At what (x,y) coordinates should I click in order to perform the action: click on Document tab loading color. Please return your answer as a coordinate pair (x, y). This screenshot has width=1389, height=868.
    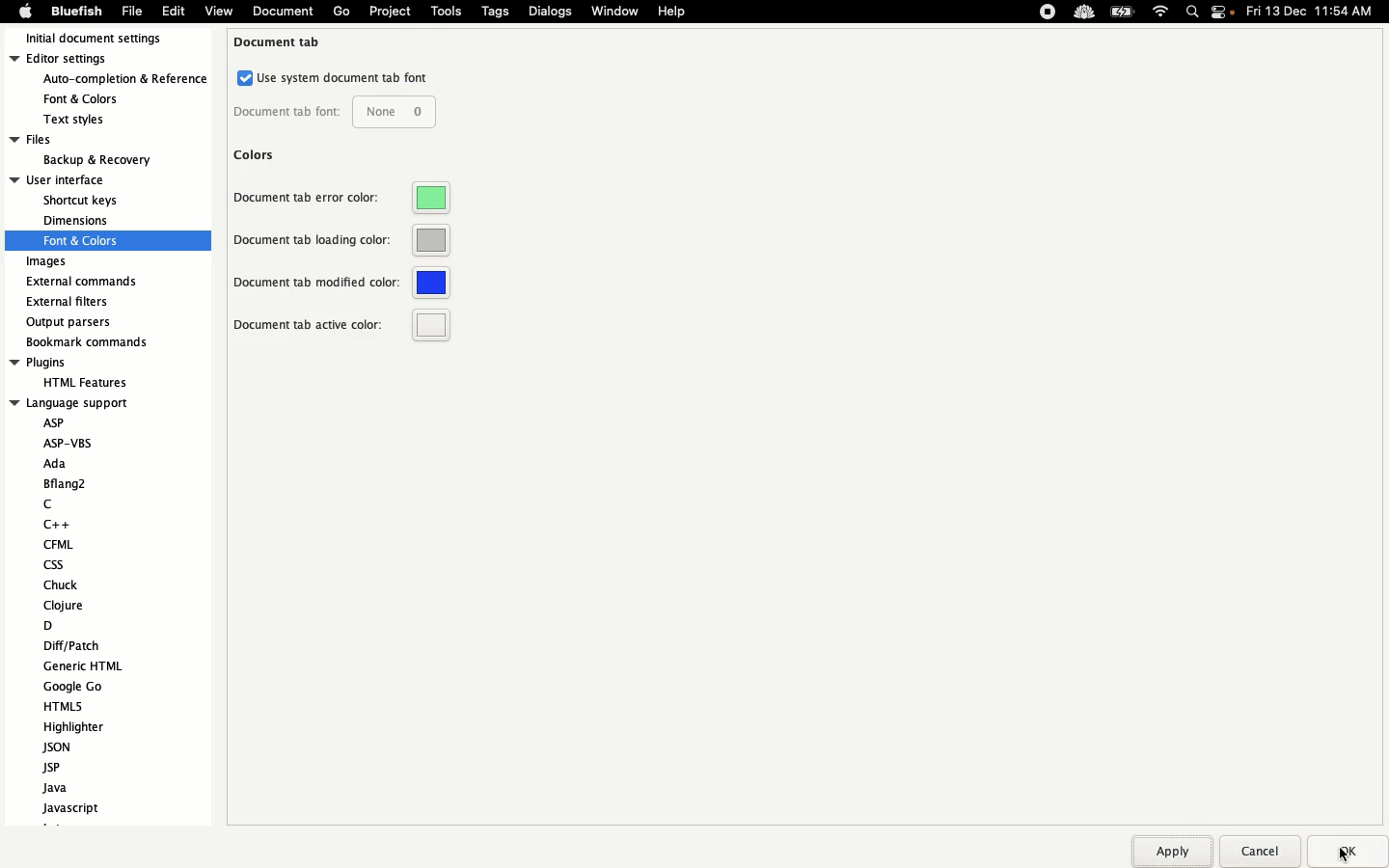
    Looking at the image, I should click on (341, 244).